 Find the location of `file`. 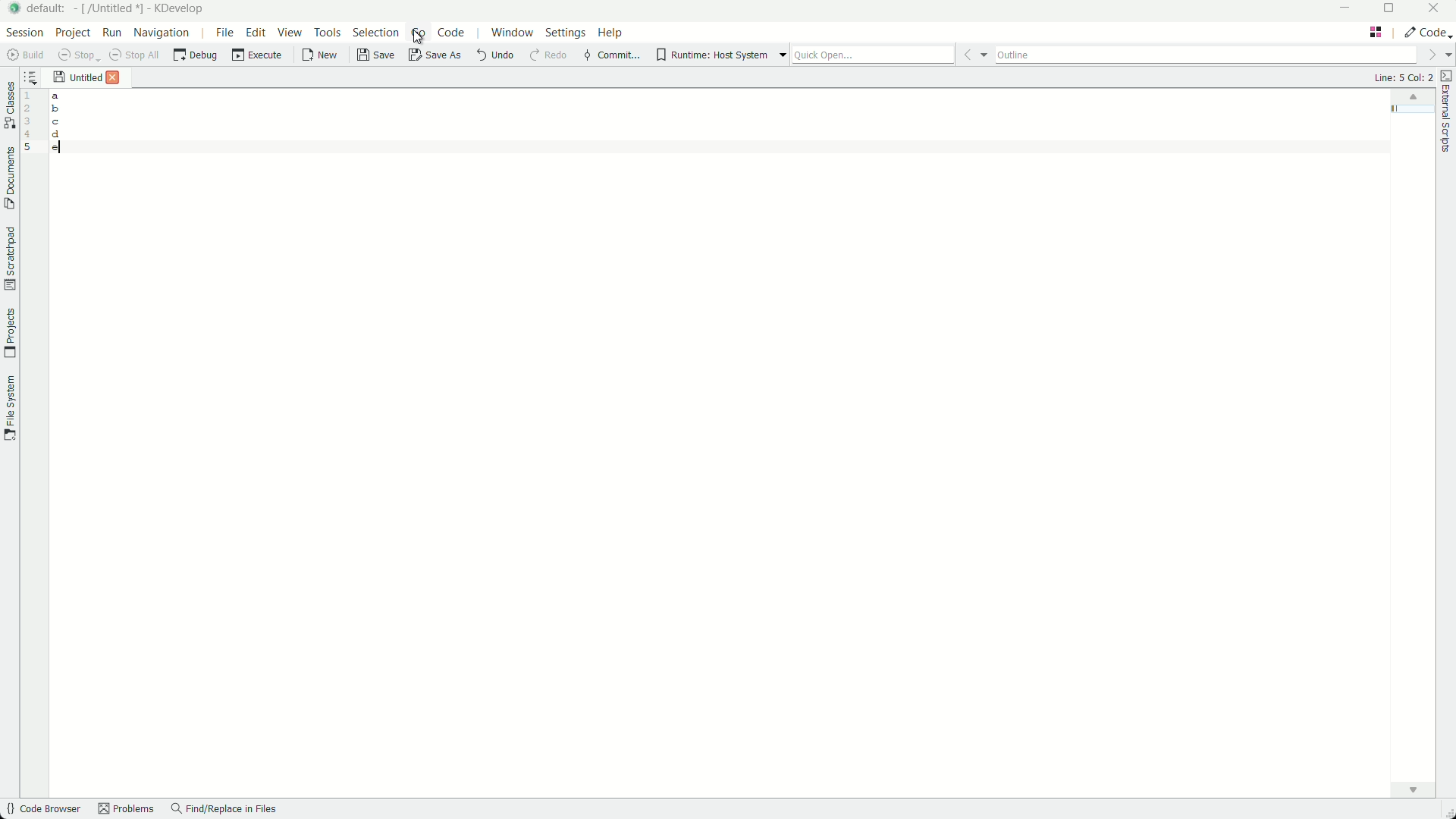

file is located at coordinates (221, 33).